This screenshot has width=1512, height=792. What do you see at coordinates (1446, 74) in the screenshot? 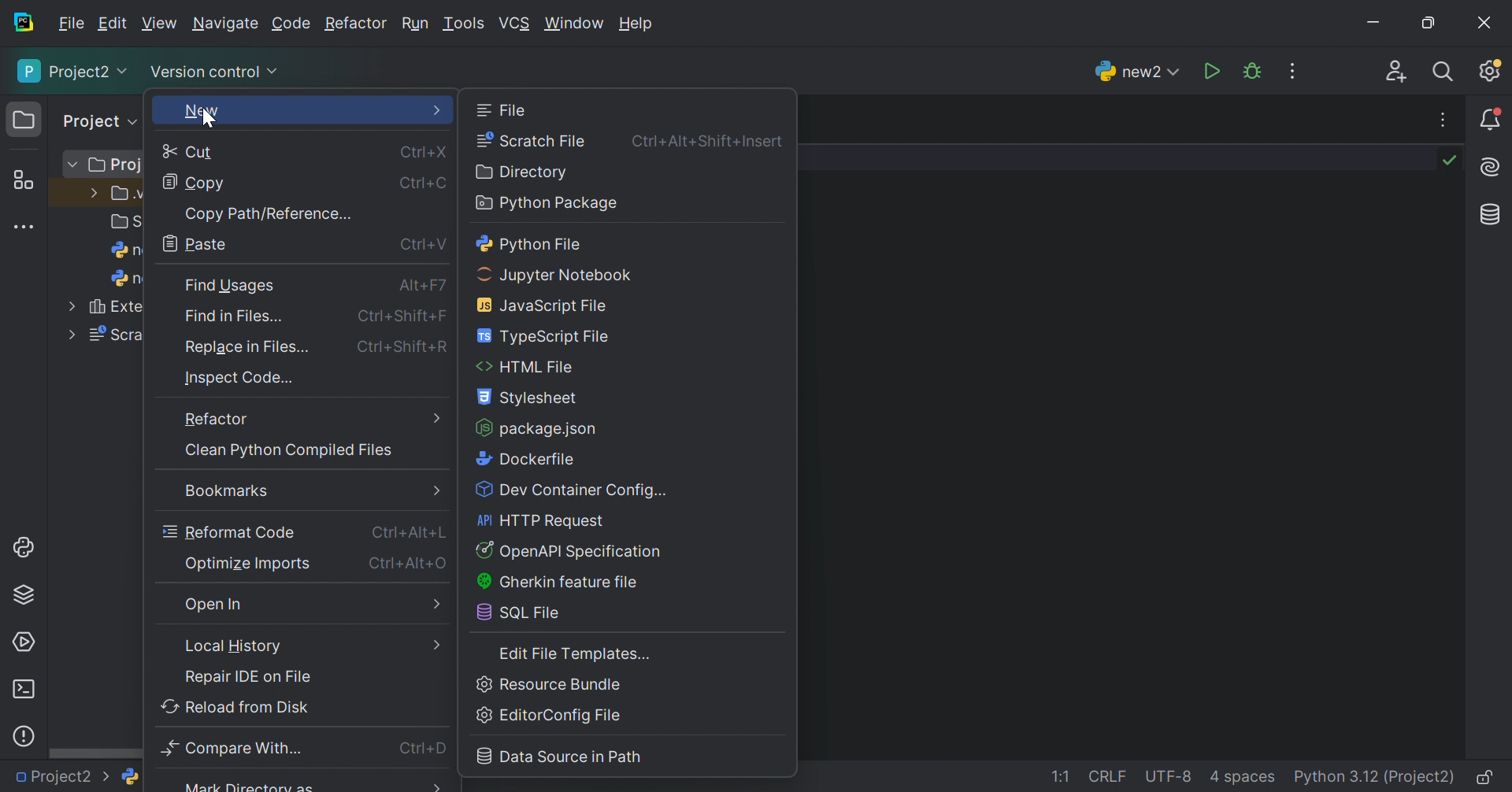
I see `Search everywhere` at bounding box center [1446, 74].